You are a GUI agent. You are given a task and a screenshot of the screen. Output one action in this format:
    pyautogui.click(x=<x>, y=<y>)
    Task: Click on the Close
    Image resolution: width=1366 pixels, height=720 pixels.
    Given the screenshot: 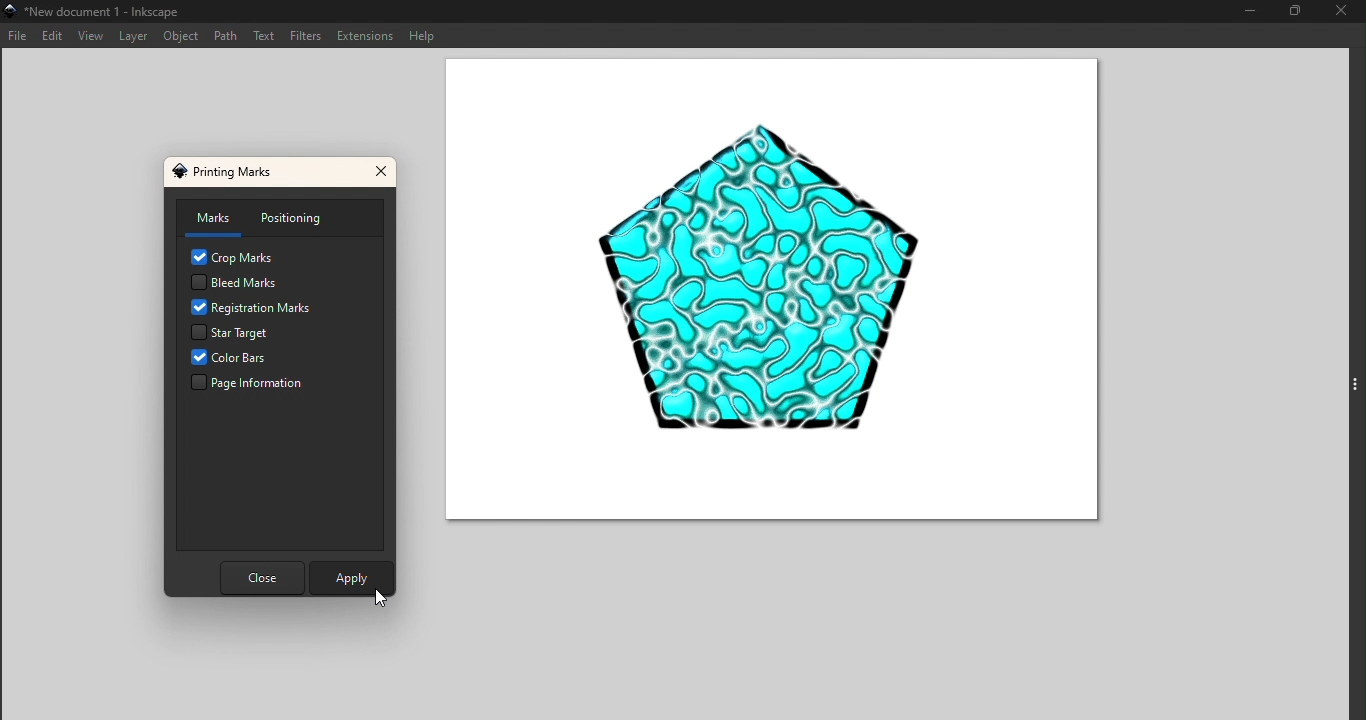 What is the action you would take?
    pyautogui.click(x=259, y=579)
    